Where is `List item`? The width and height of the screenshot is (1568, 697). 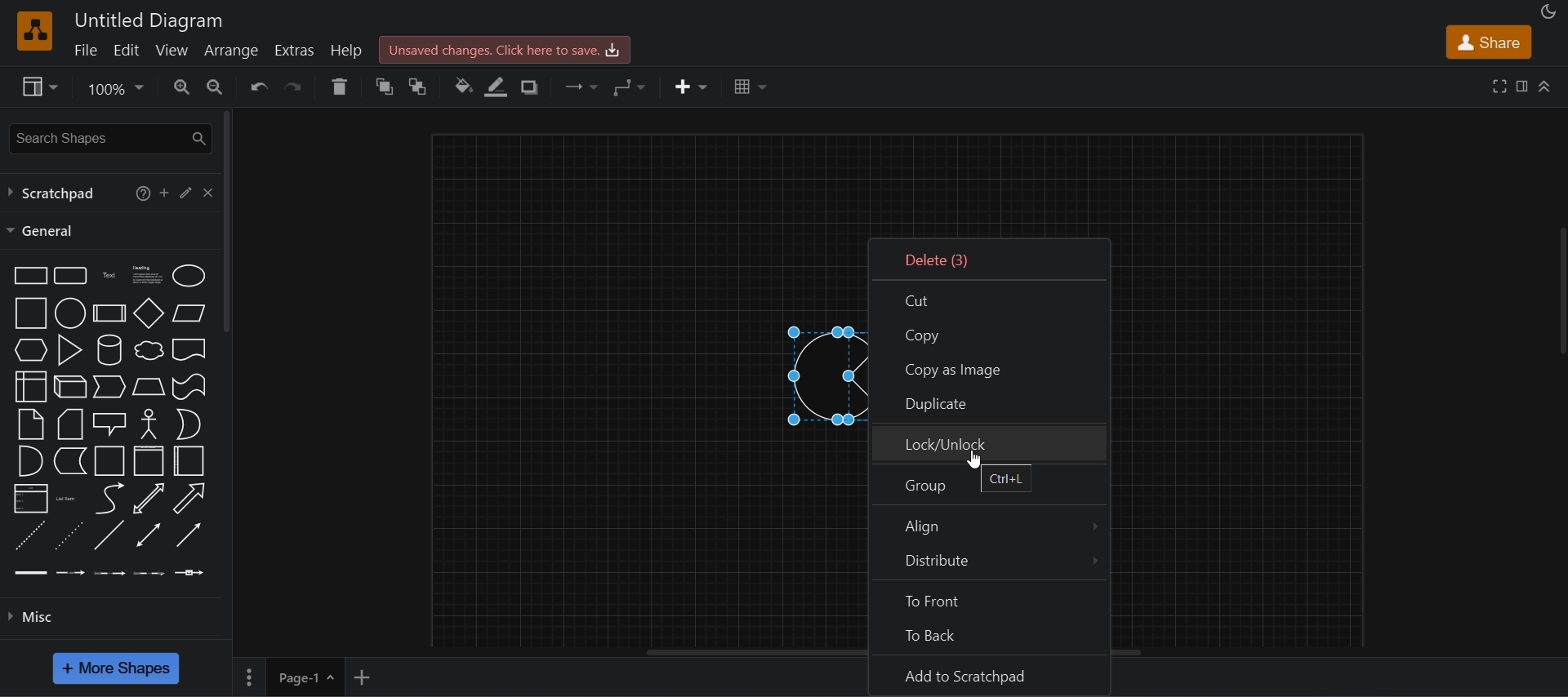 List item is located at coordinates (67, 498).